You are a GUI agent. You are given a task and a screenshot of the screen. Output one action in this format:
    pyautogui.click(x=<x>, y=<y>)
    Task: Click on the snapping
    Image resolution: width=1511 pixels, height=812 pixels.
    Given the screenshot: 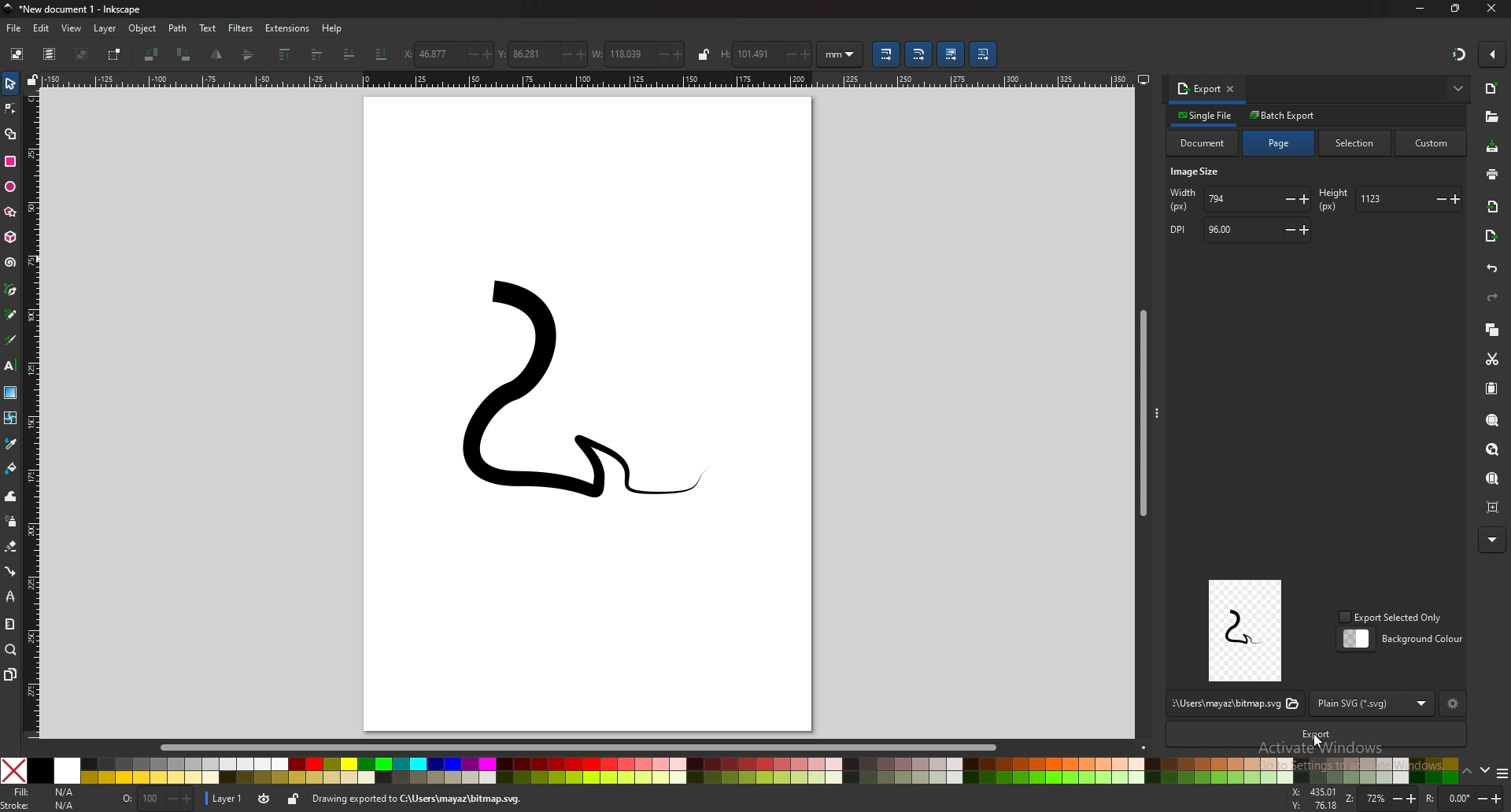 What is the action you would take?
    pyautogui.click(x=1457, y=54)
    